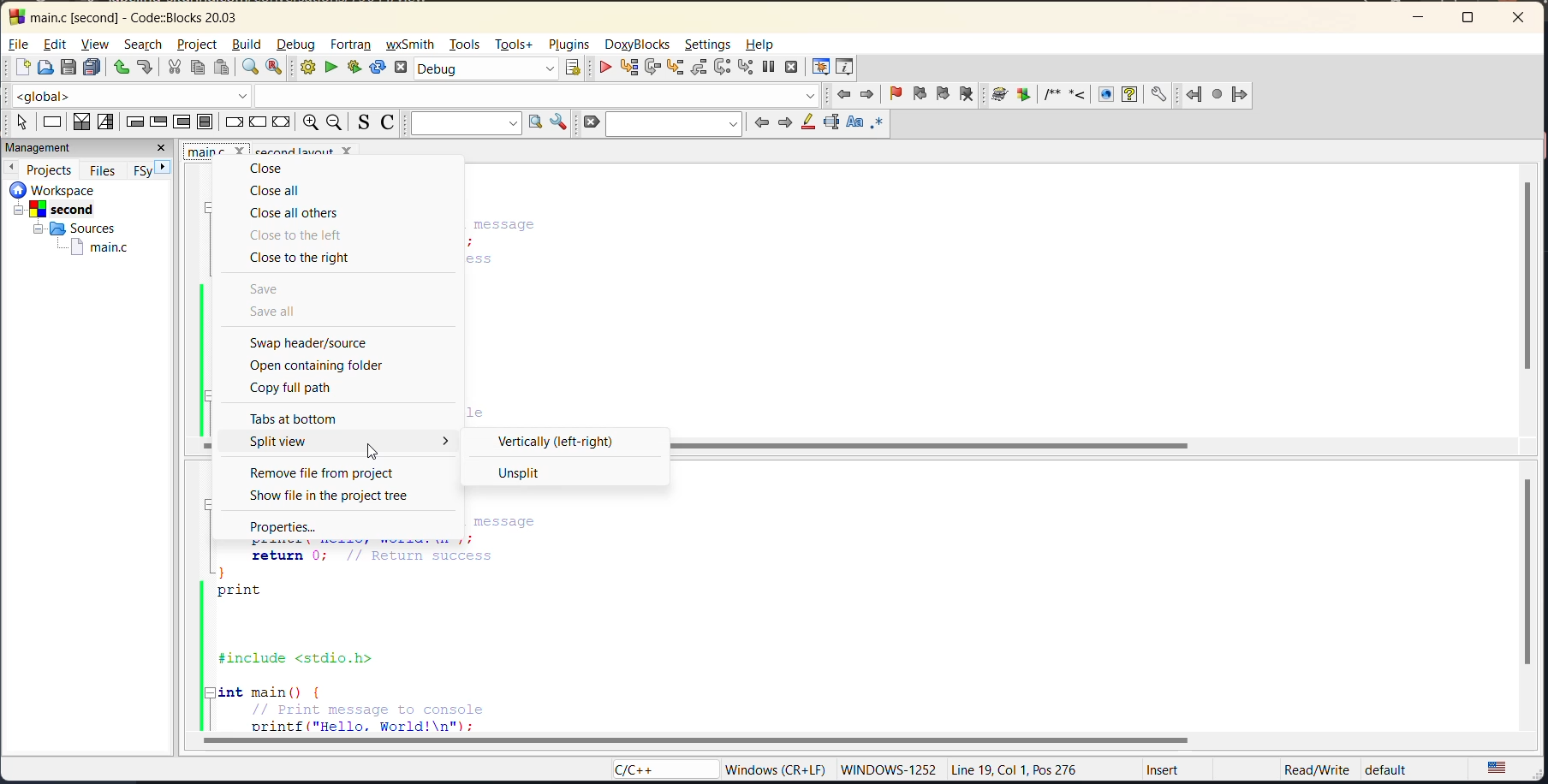  Describe the element at coordinates (298, 419) in the screenshot. I see `tabs at bottom` at that location.